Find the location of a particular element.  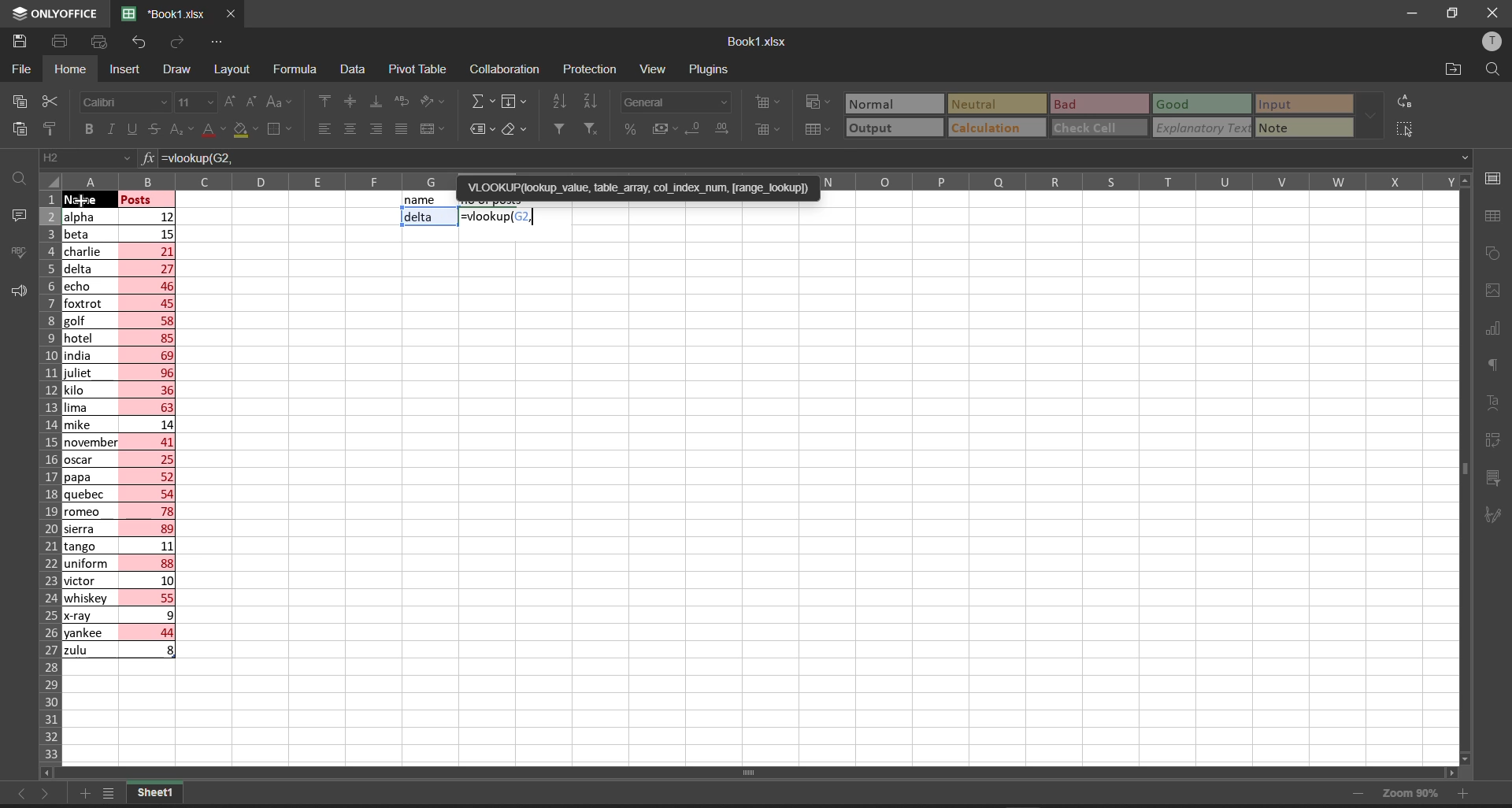

pivot table is located at coordinates (418, 67).